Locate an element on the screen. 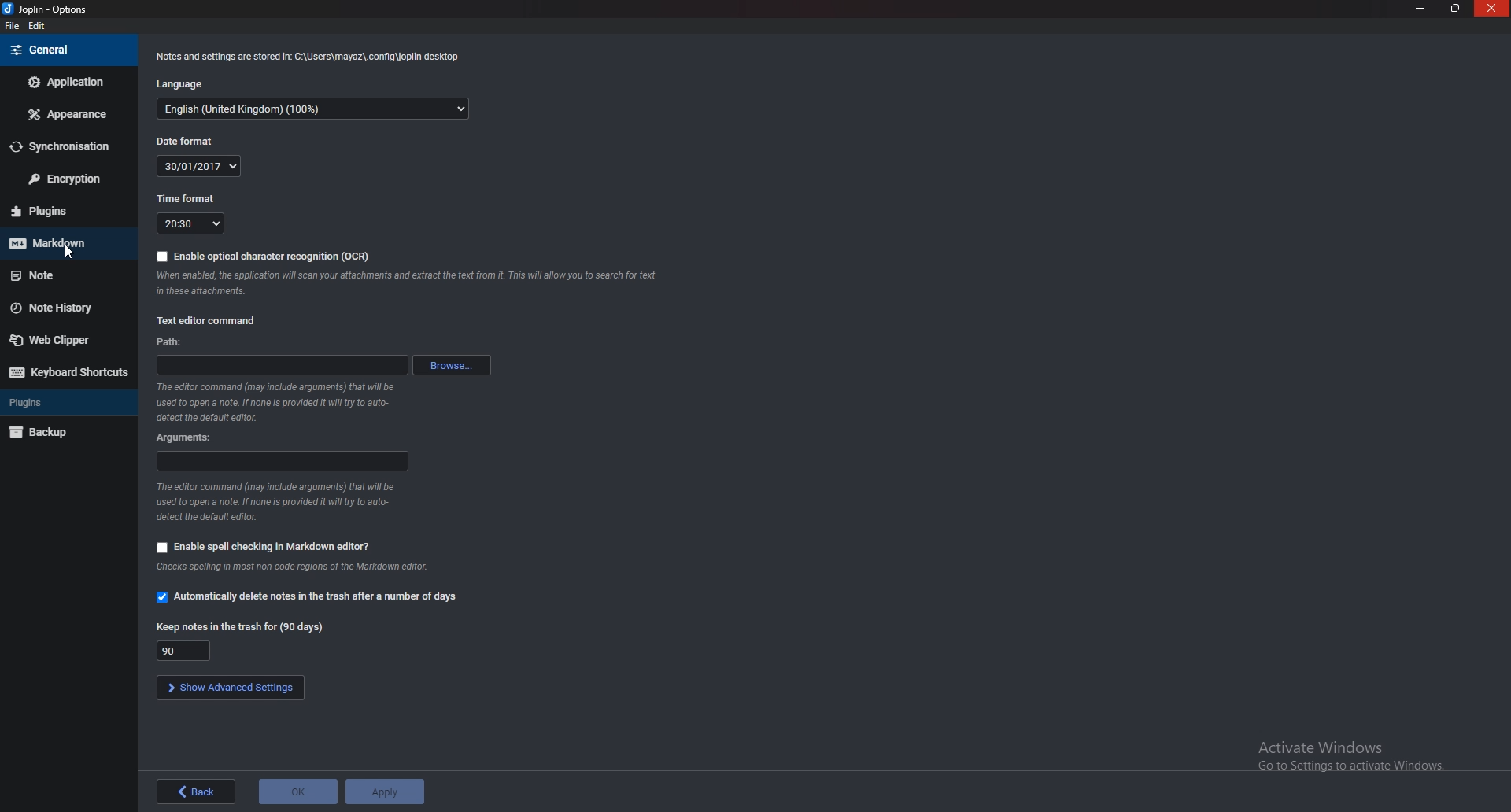  path is located at coordinates (173, 342).